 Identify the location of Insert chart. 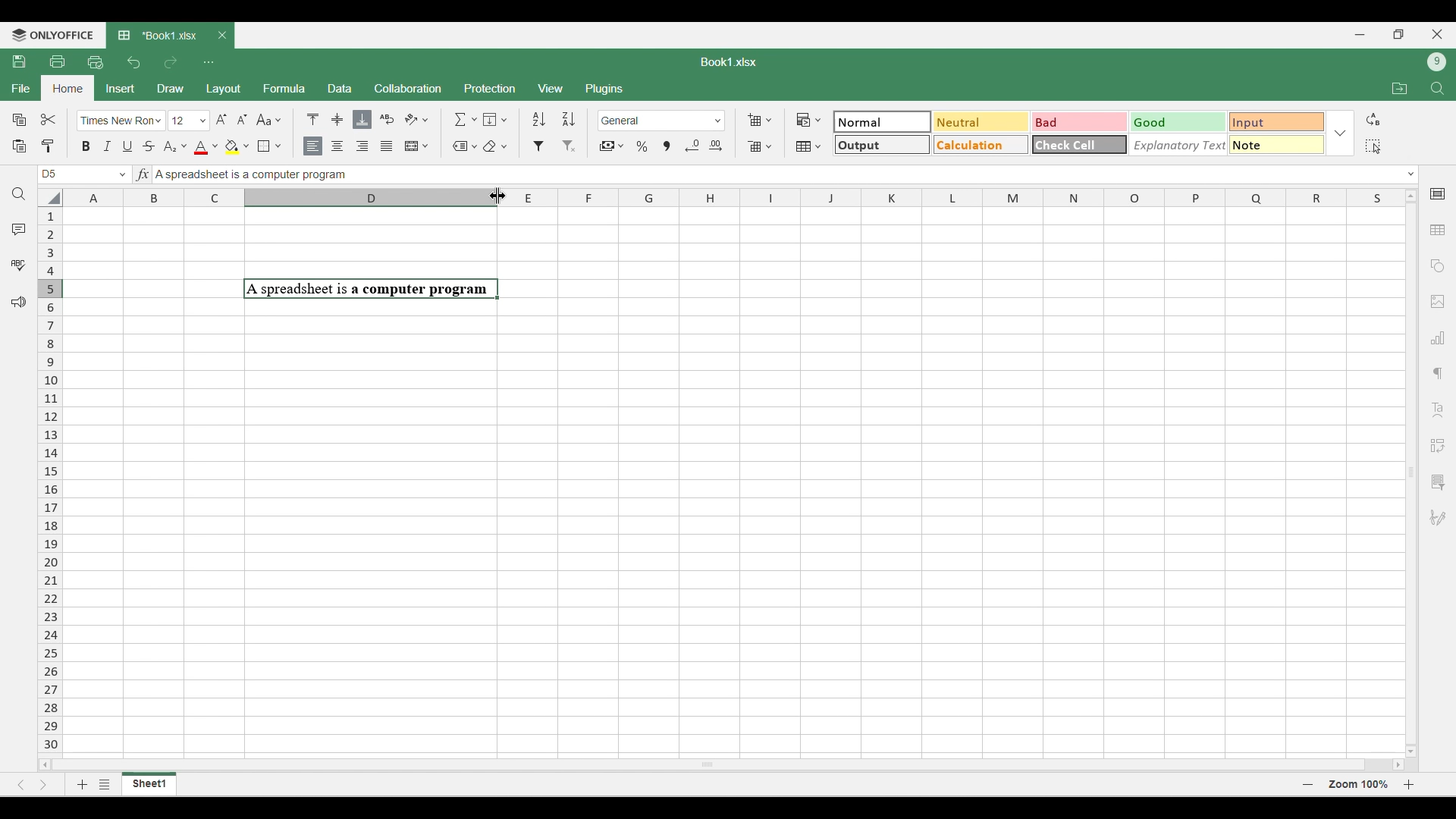
(1439, 337).